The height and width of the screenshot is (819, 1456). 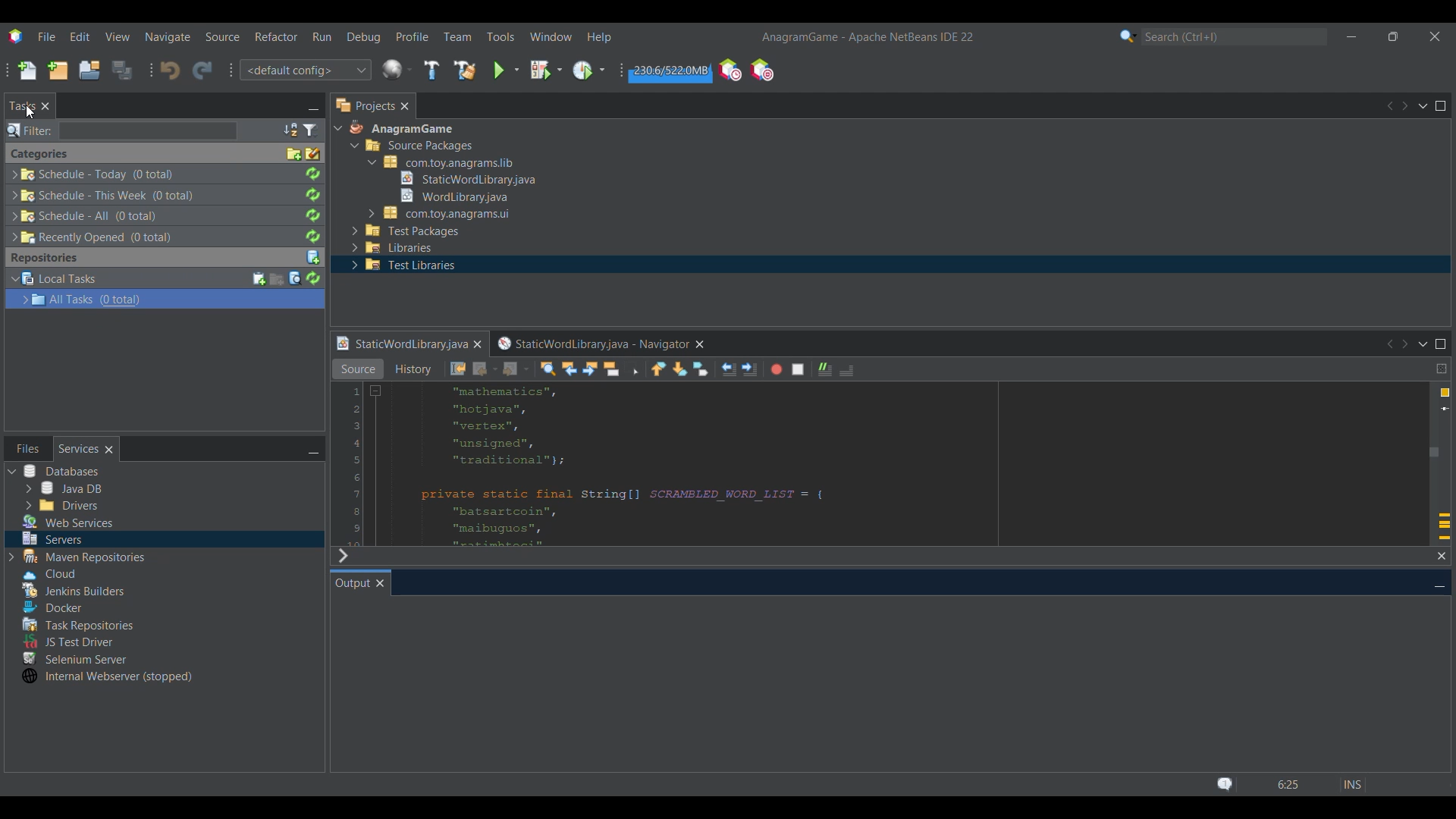 What do you see at coordinates (52, 538) in the screenshot?
I see `` at bounding box center [52, 538].